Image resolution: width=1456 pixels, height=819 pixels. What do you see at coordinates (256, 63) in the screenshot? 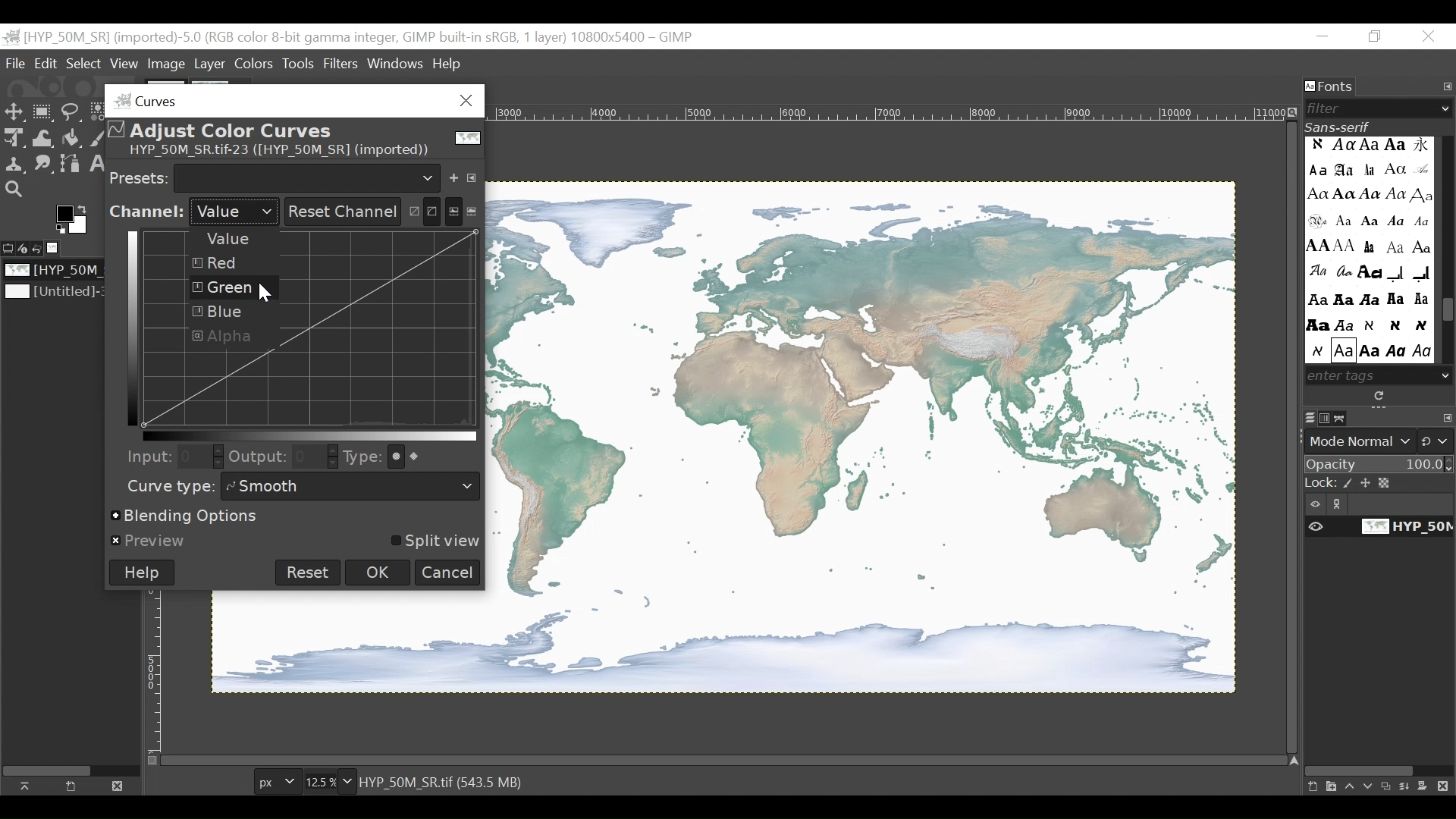
I see `Colors` at bounding box center [256, 63].